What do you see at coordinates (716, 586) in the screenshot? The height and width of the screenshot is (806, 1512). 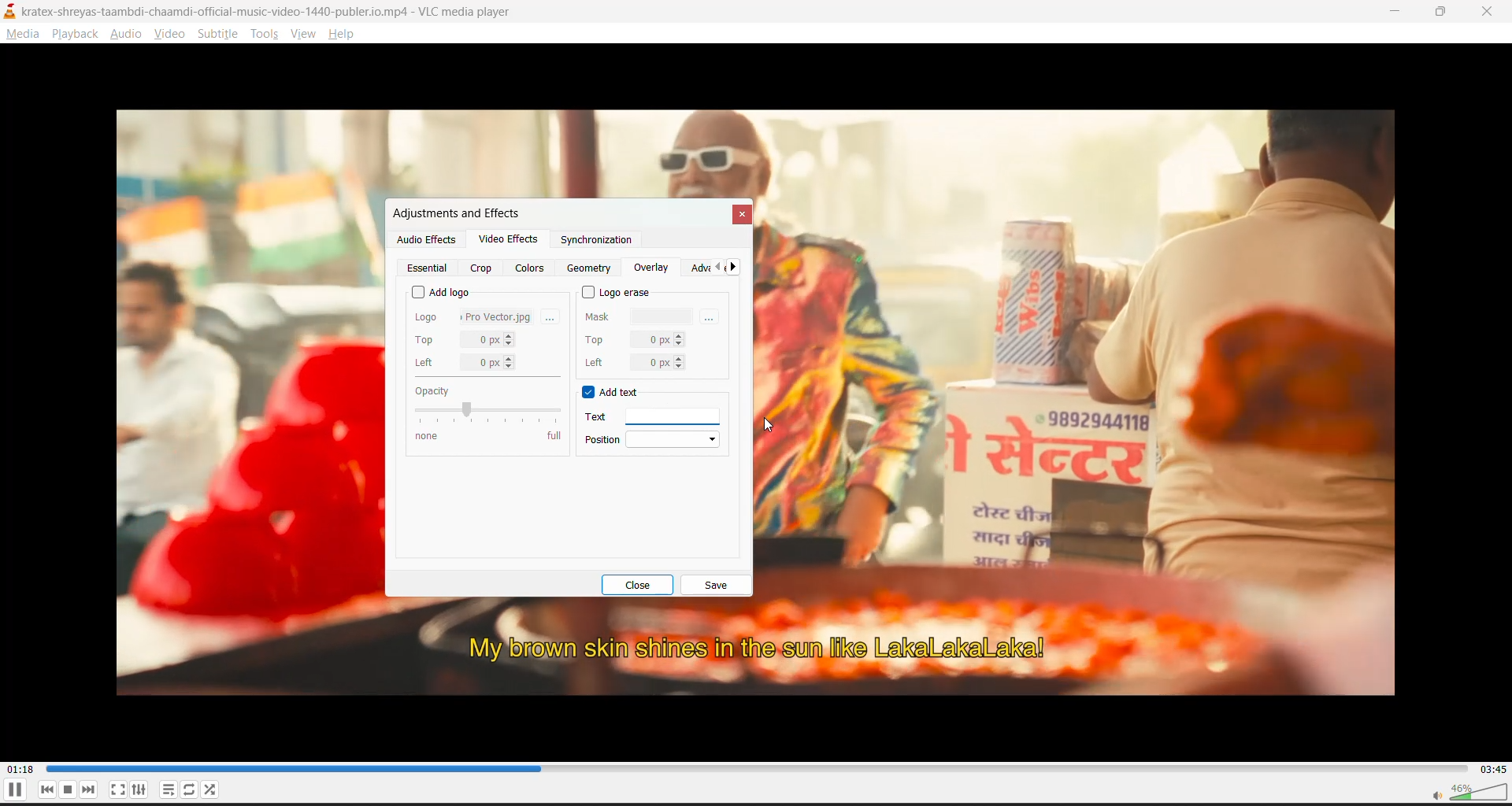 I see `save` at bounding box center [716, 586].